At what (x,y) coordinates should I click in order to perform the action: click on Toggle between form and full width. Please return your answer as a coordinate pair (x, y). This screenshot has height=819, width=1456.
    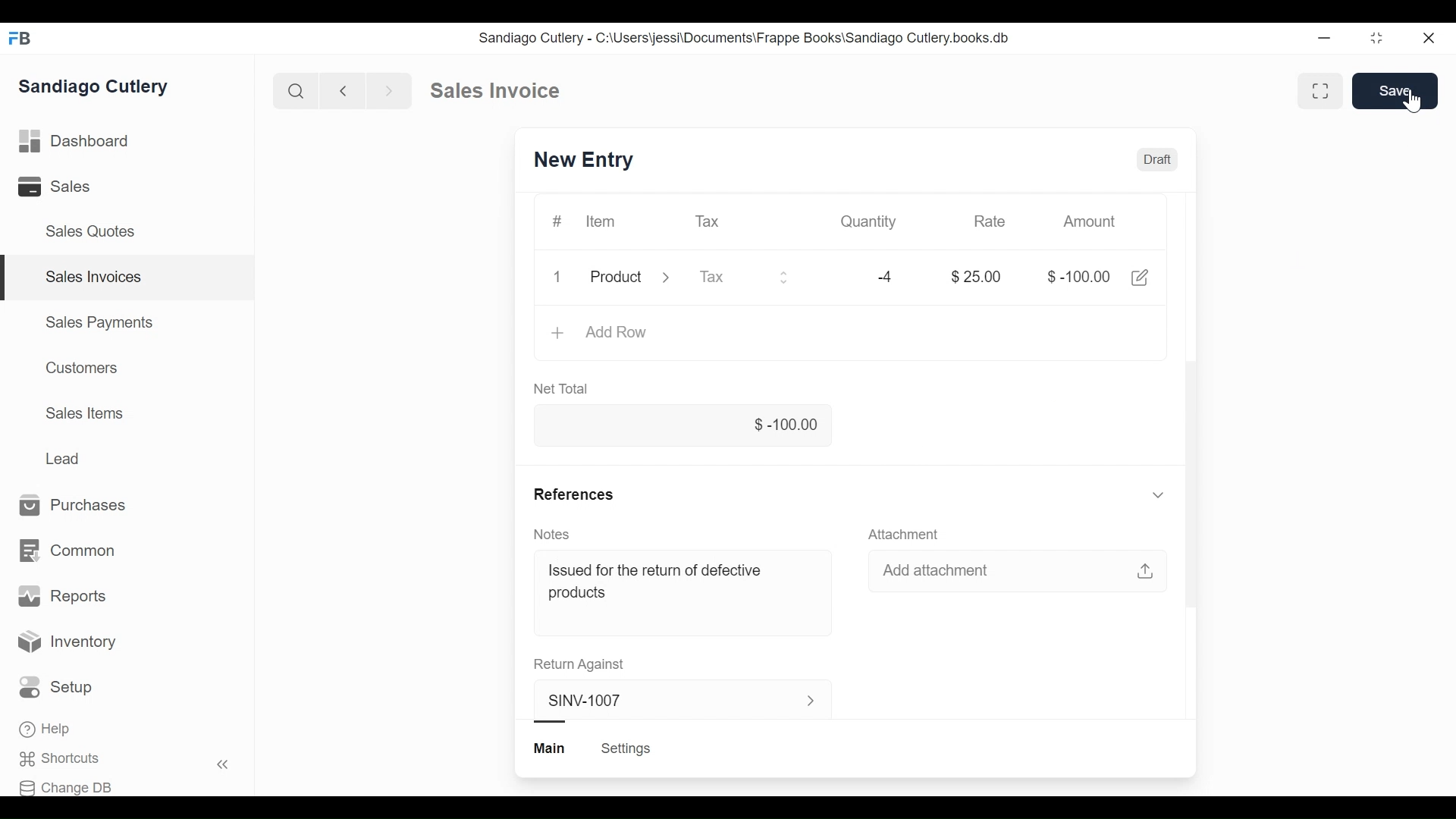
    Looking at the image, I should click on (1321, 91).